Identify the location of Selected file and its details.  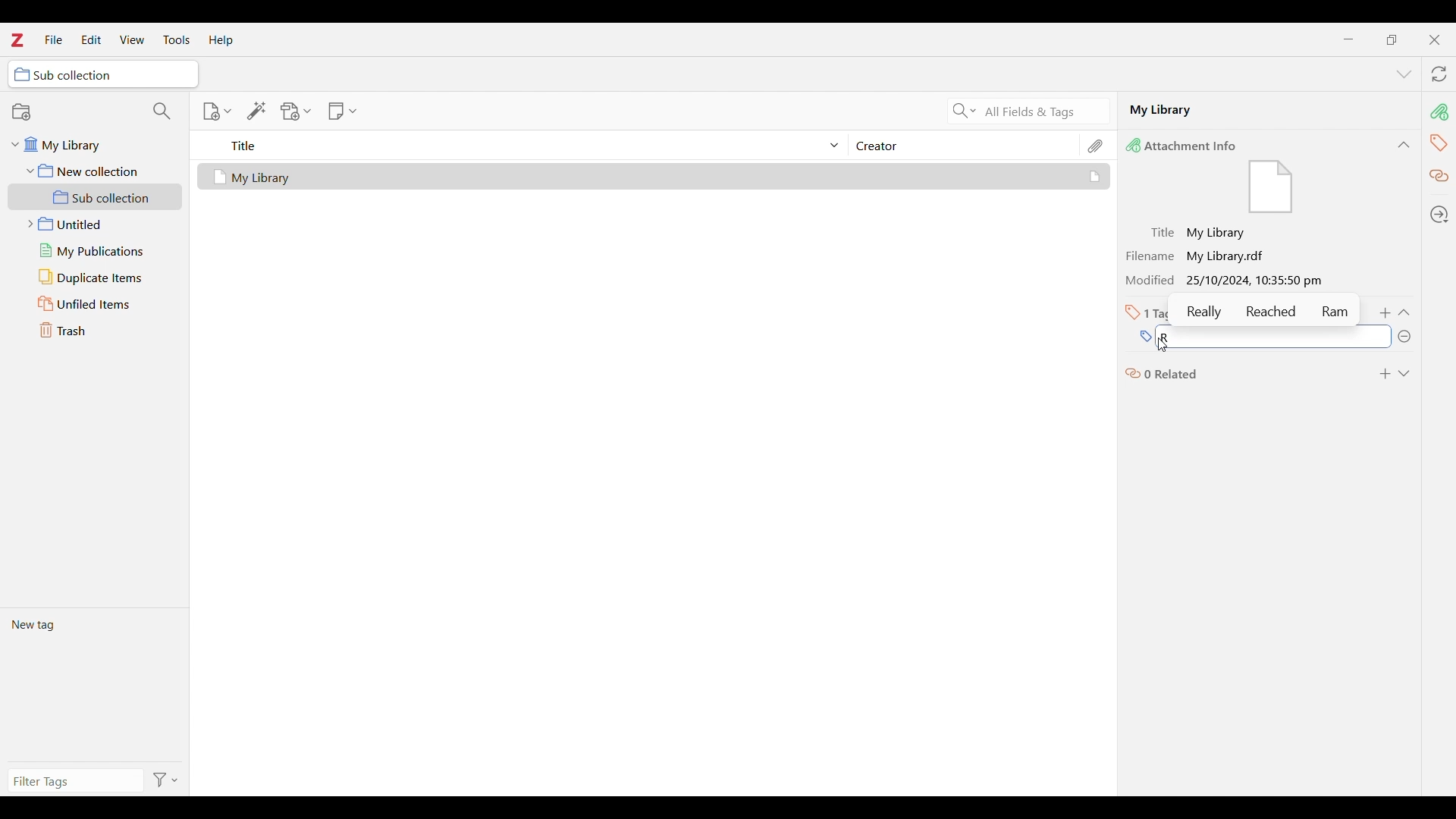
(654, 177).